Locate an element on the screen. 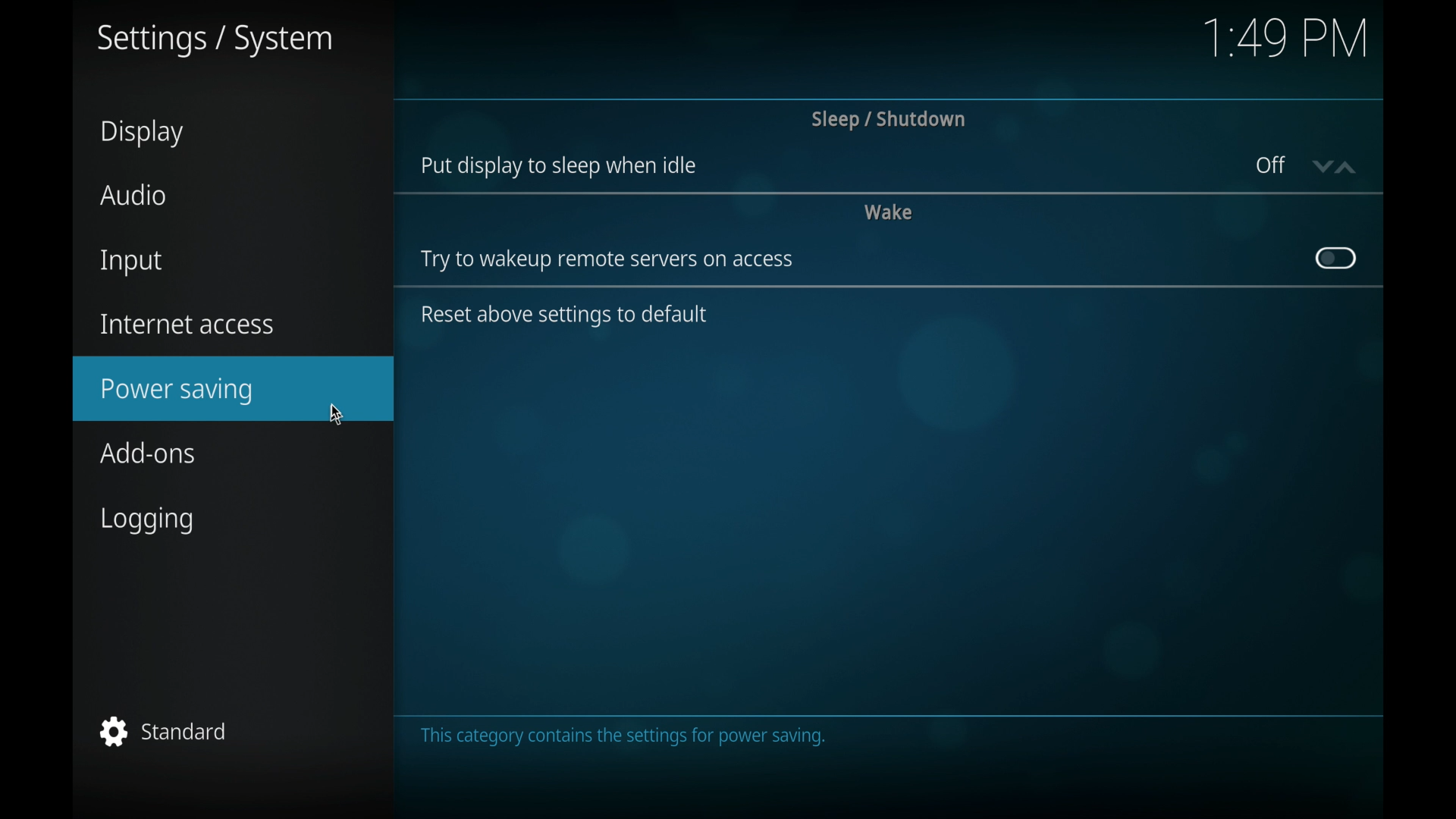  toggle button is located at coordinates (1334, 258).